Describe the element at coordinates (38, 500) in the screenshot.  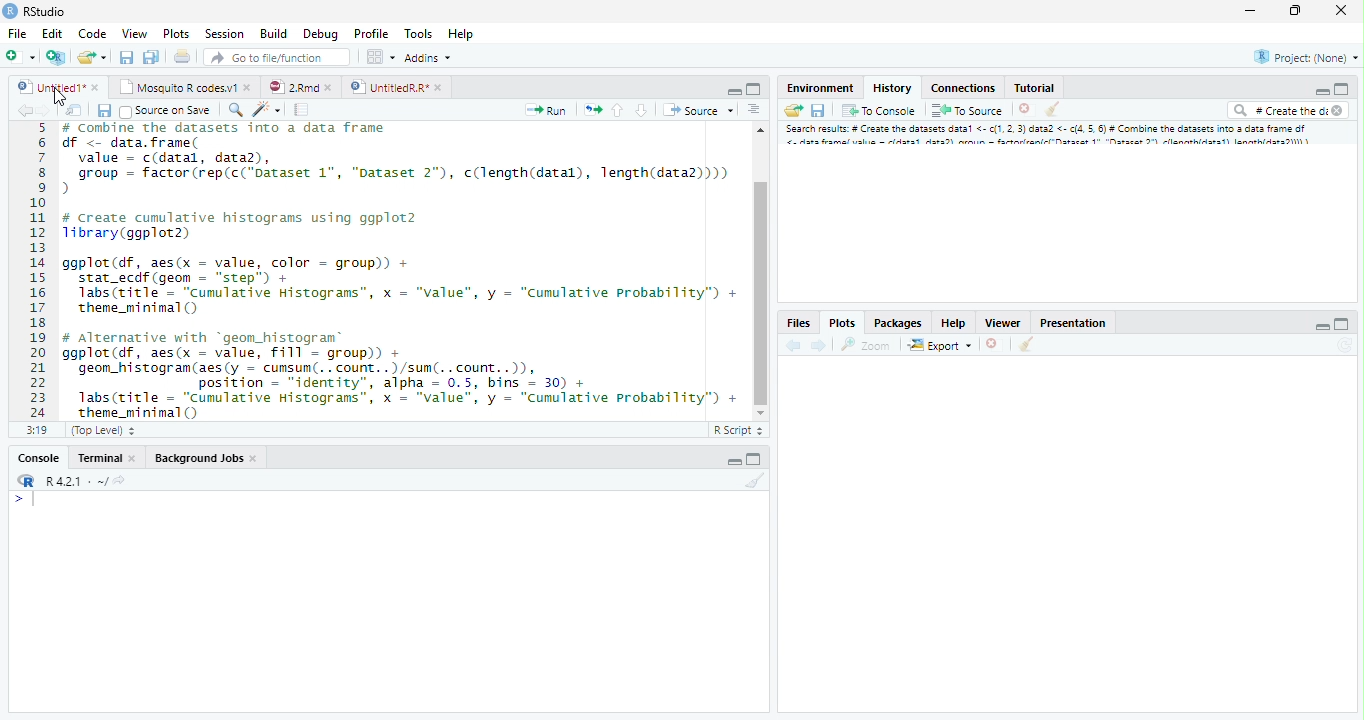
I see `Input cursor` at that location.